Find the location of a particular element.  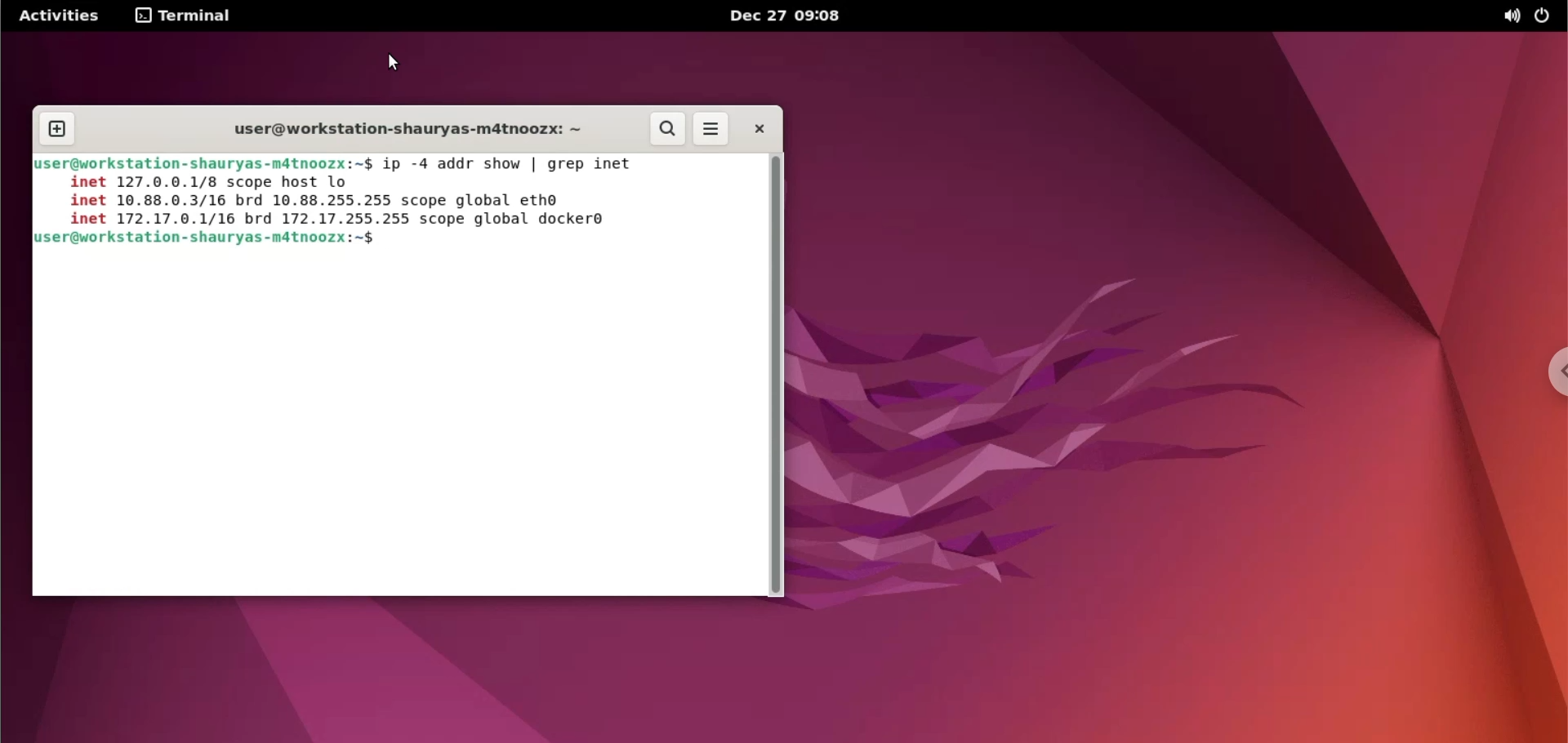

Activities is located at coordinates (58, 16).